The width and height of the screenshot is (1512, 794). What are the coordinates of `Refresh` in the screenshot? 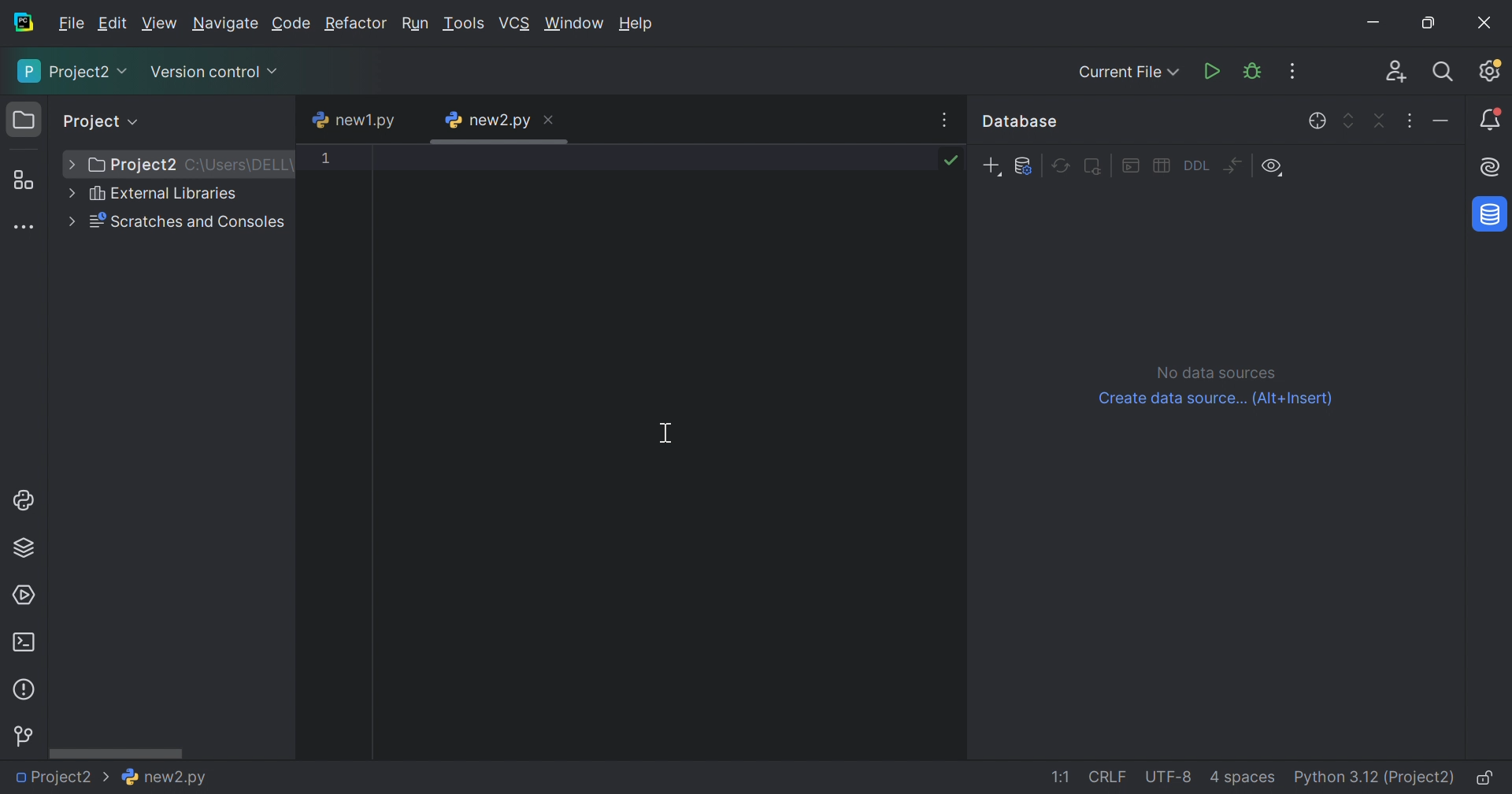 It's located at (1059, 163).